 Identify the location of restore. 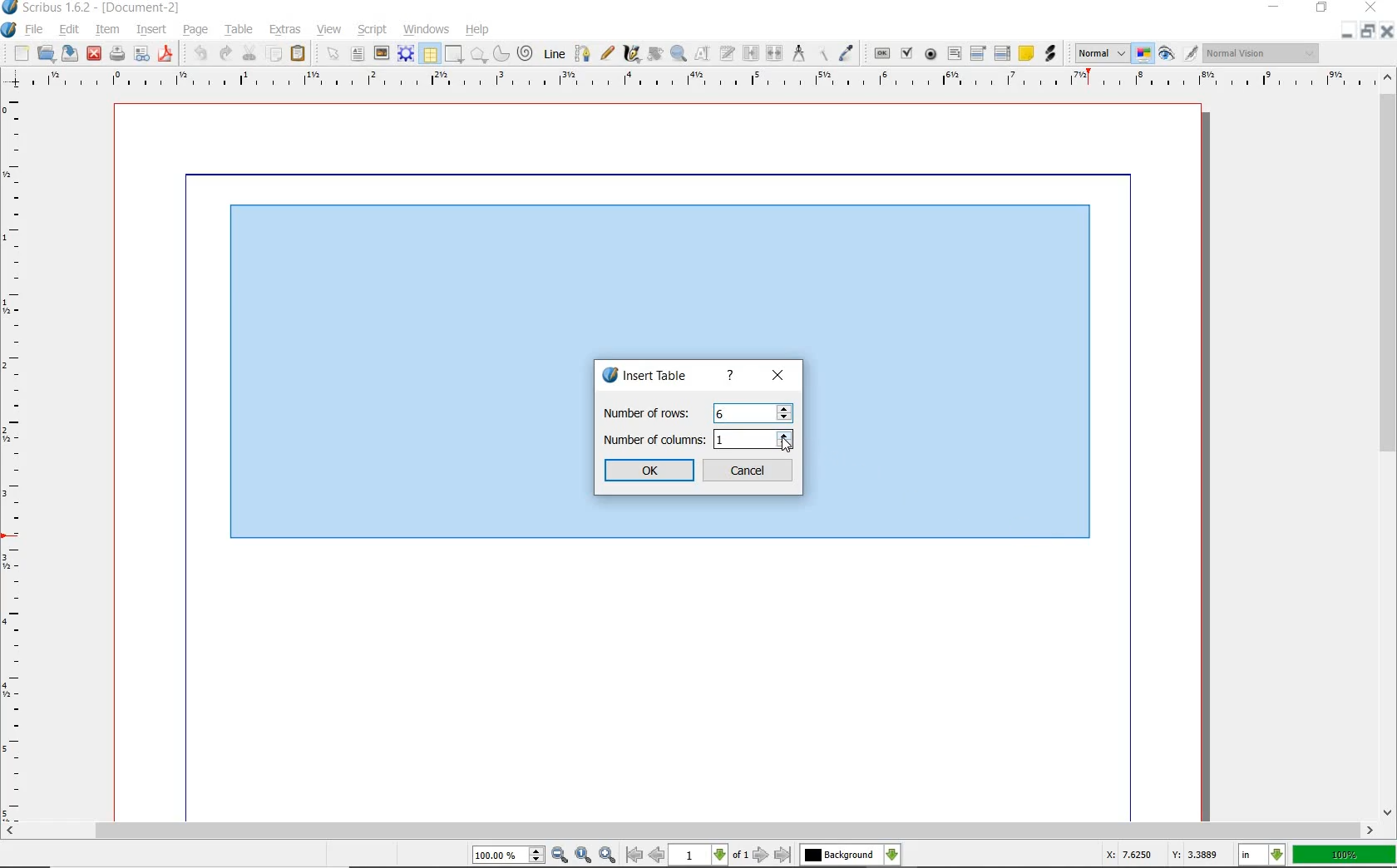
(1322, 8).